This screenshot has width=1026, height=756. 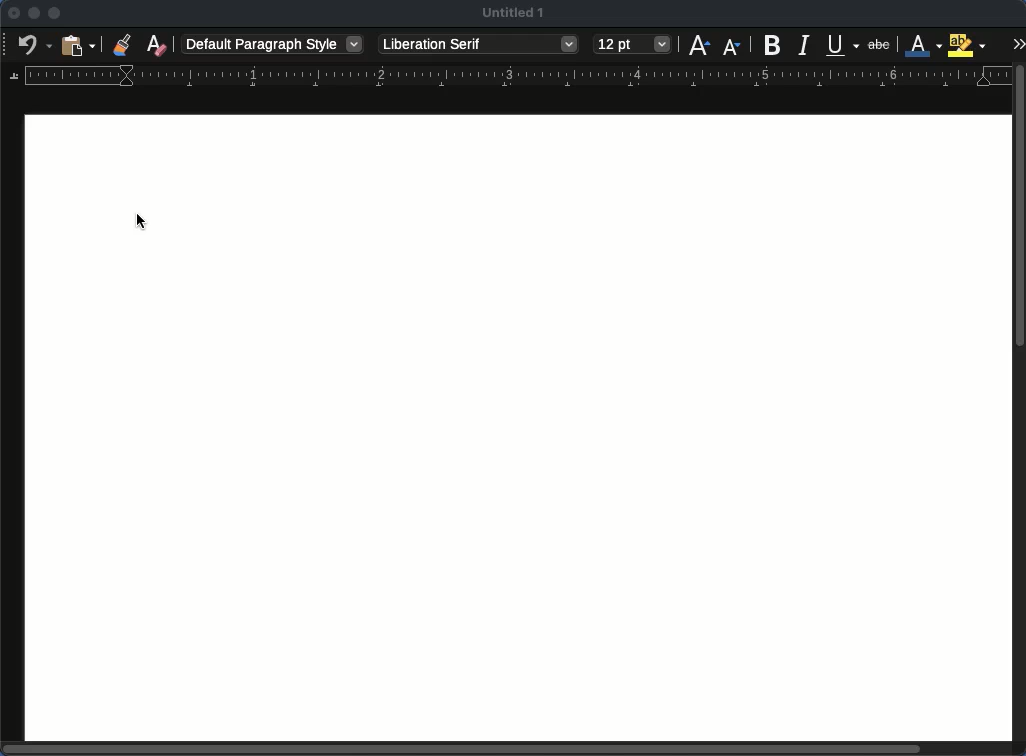 I want to click on increase, so click(x=700, y=45).